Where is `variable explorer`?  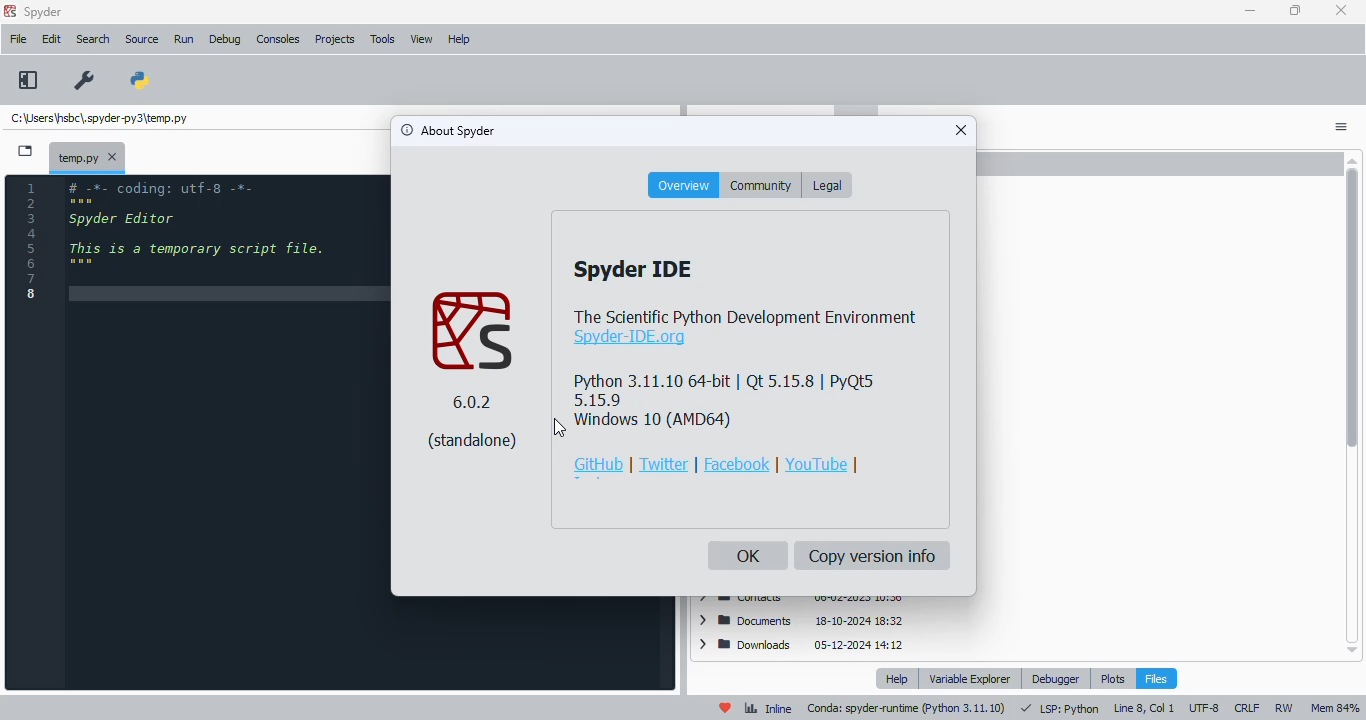 variable explorer is located at coordinates (969, 678).